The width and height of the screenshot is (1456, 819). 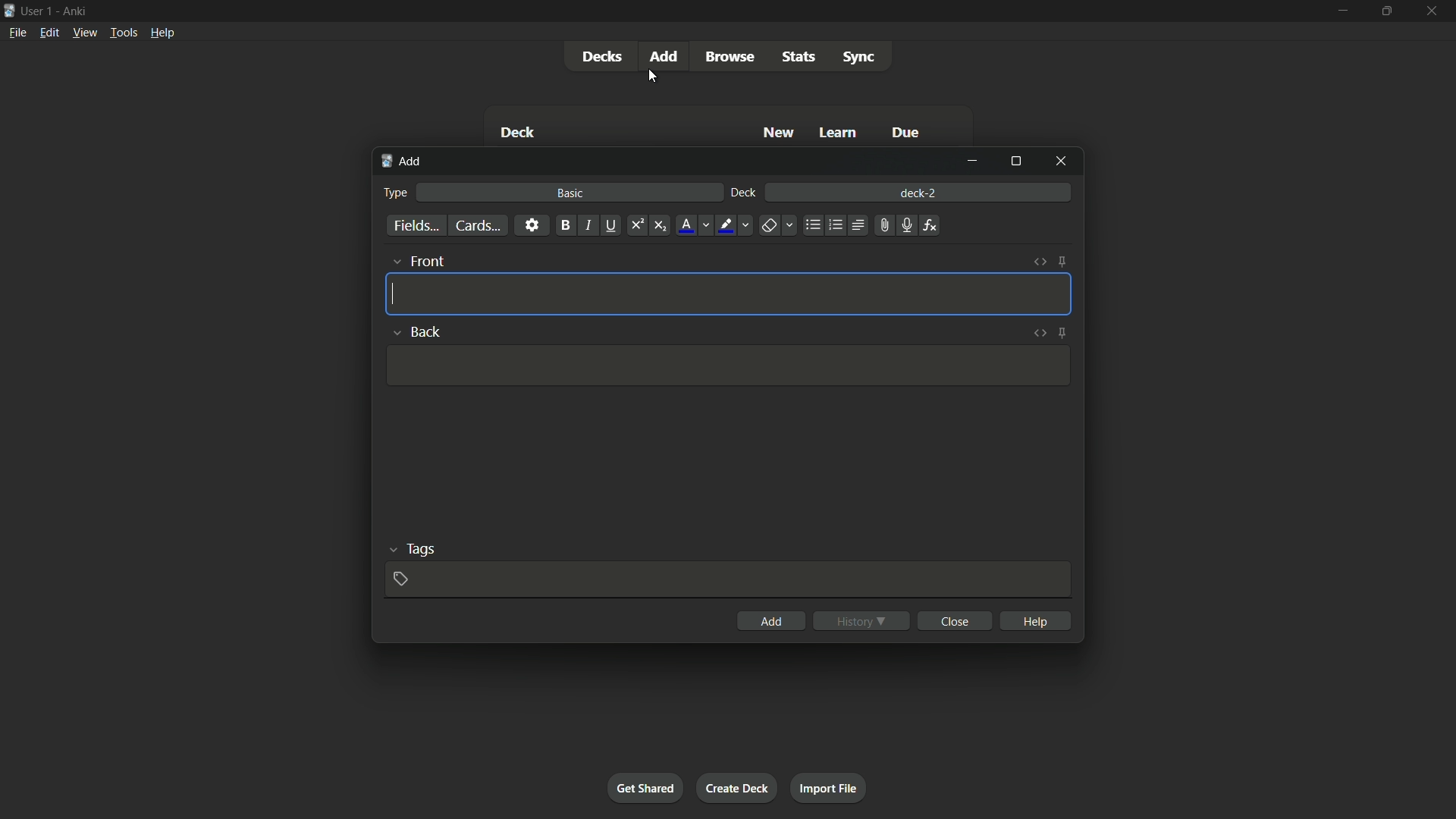 I want to click on history, so click(x=861, y=620).